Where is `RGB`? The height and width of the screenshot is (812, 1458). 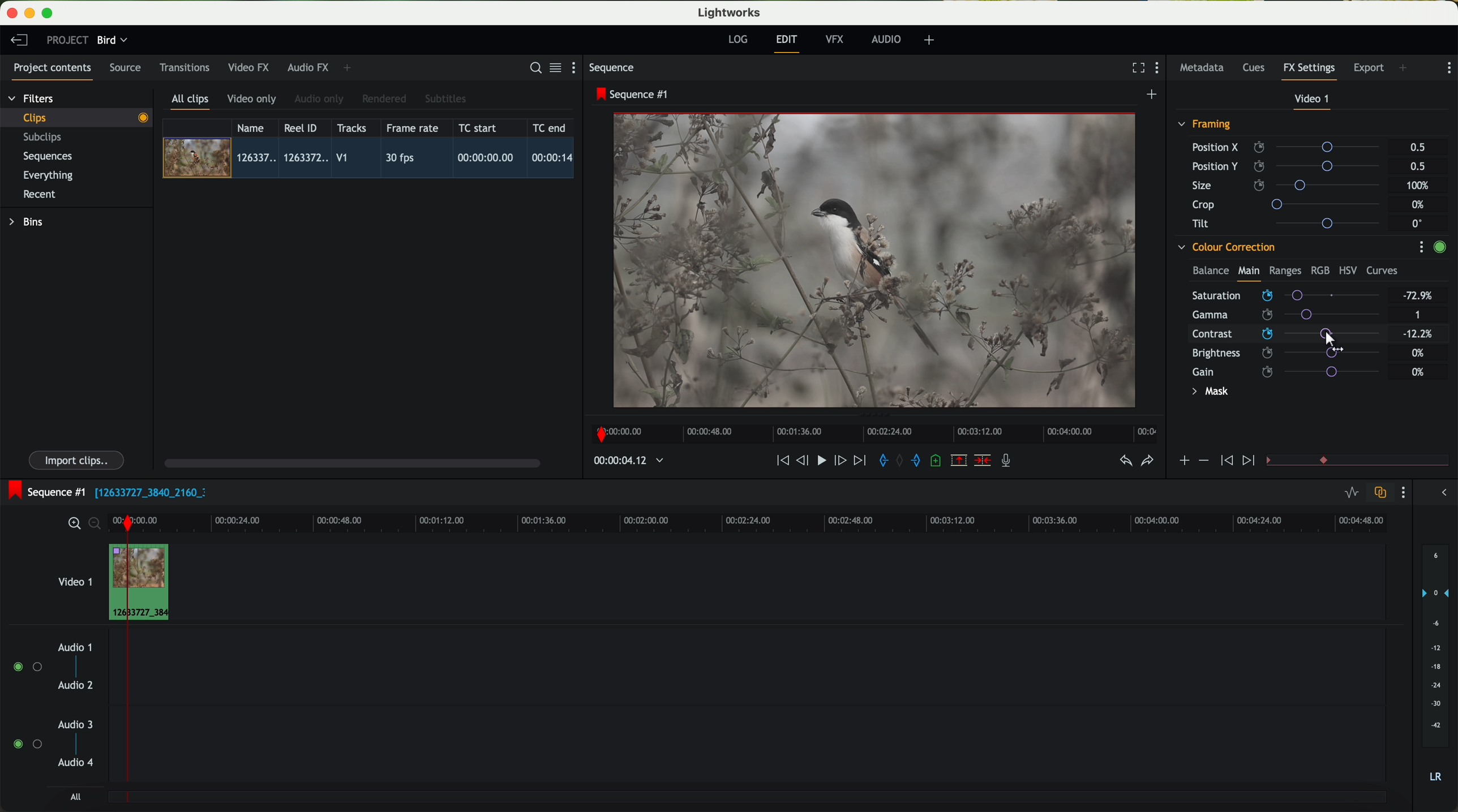 RGB is located at coordinates (1319, 269).